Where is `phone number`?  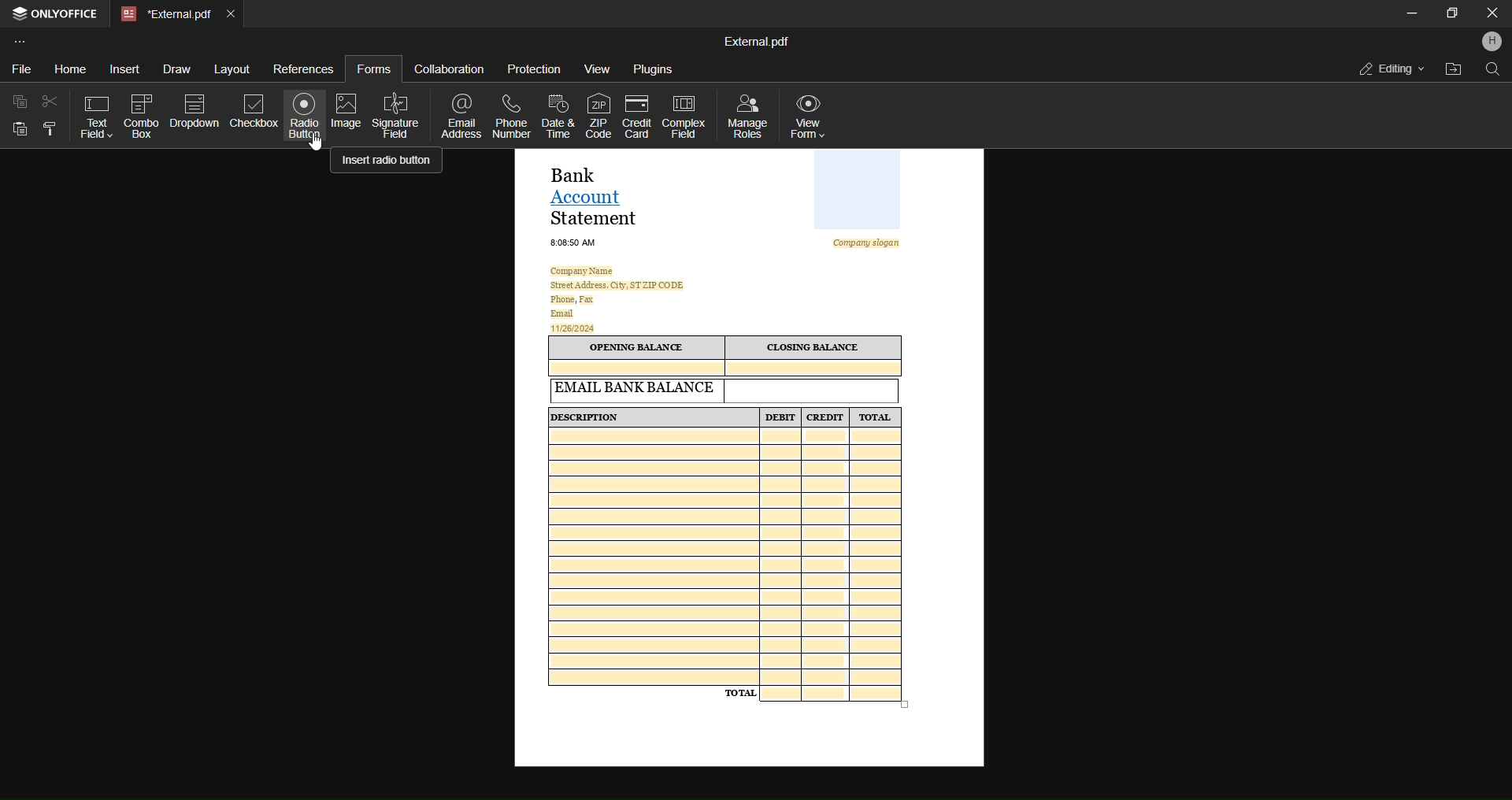 phone number is located at coordinates (511, 115).